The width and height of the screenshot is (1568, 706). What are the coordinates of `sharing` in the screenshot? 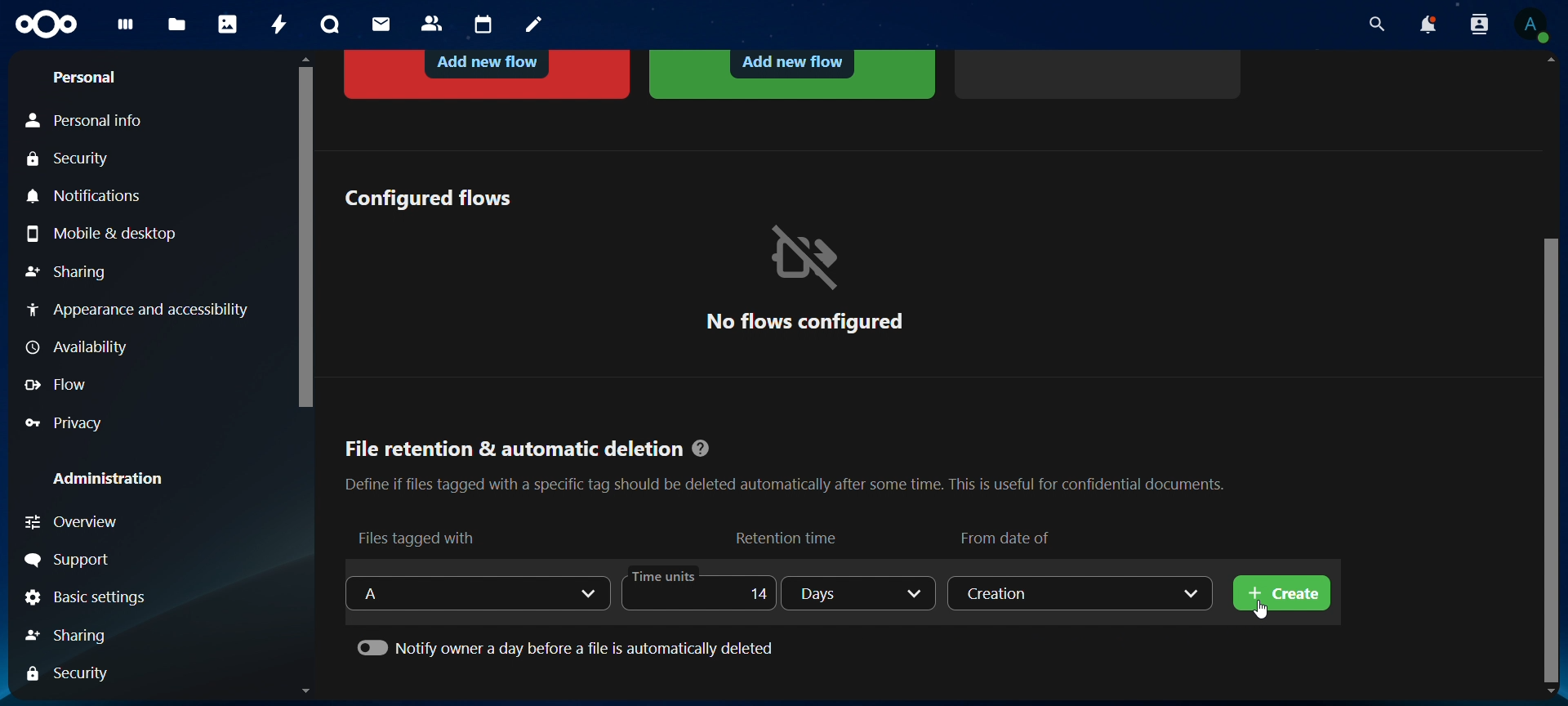 It's located at (66, 274).